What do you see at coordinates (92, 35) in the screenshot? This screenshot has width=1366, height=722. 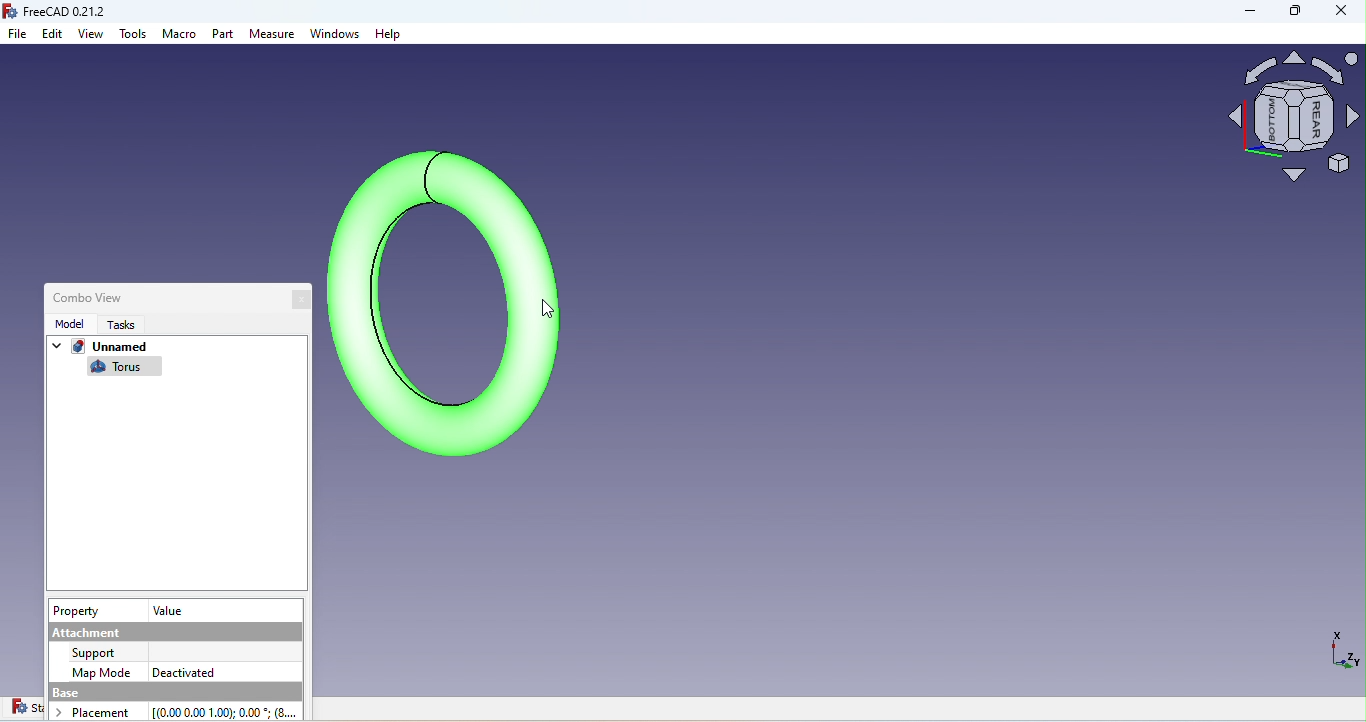 I see `View` at bounding box center [92, 35].